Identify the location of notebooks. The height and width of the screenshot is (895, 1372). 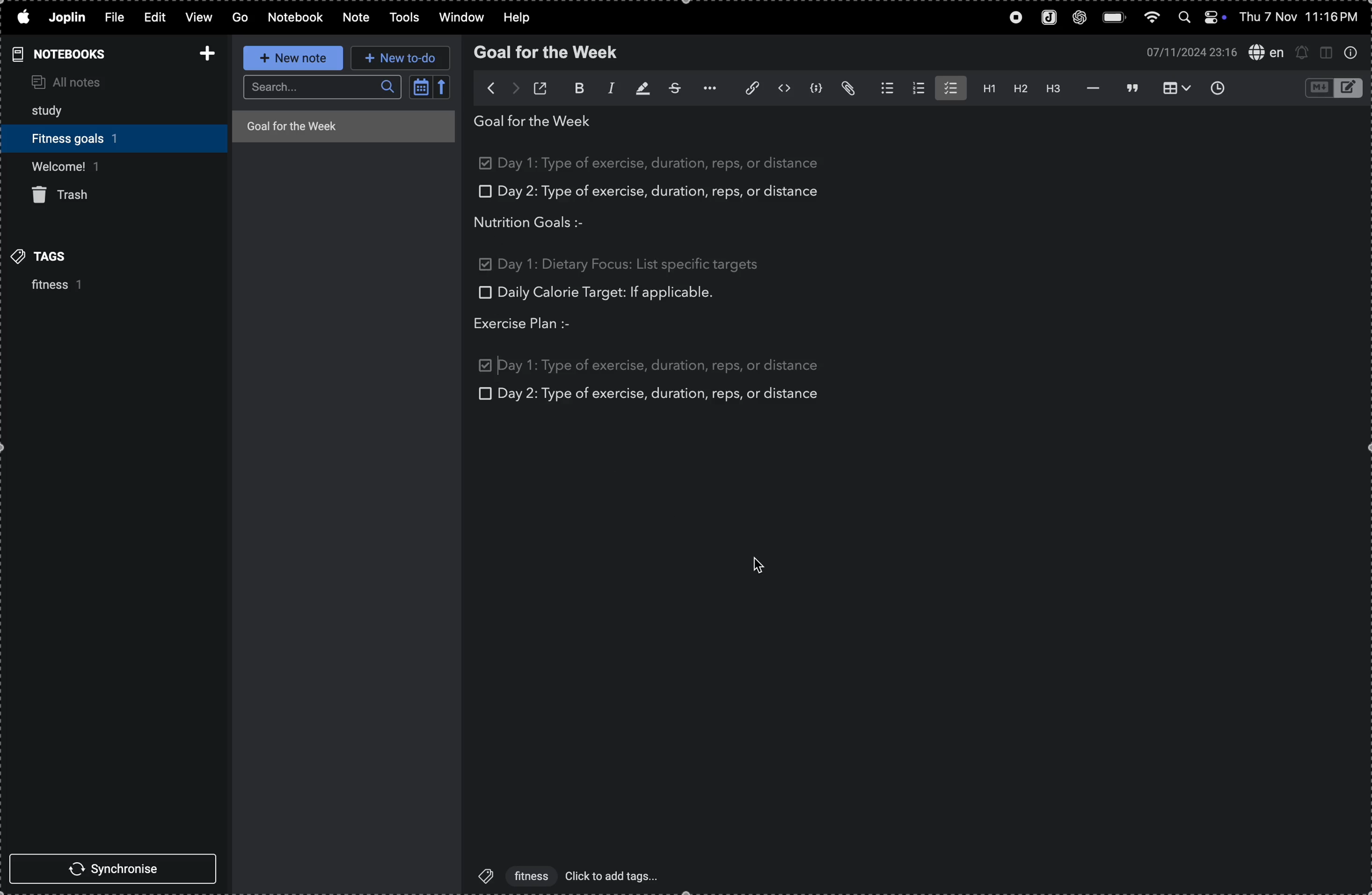
(66, 54).